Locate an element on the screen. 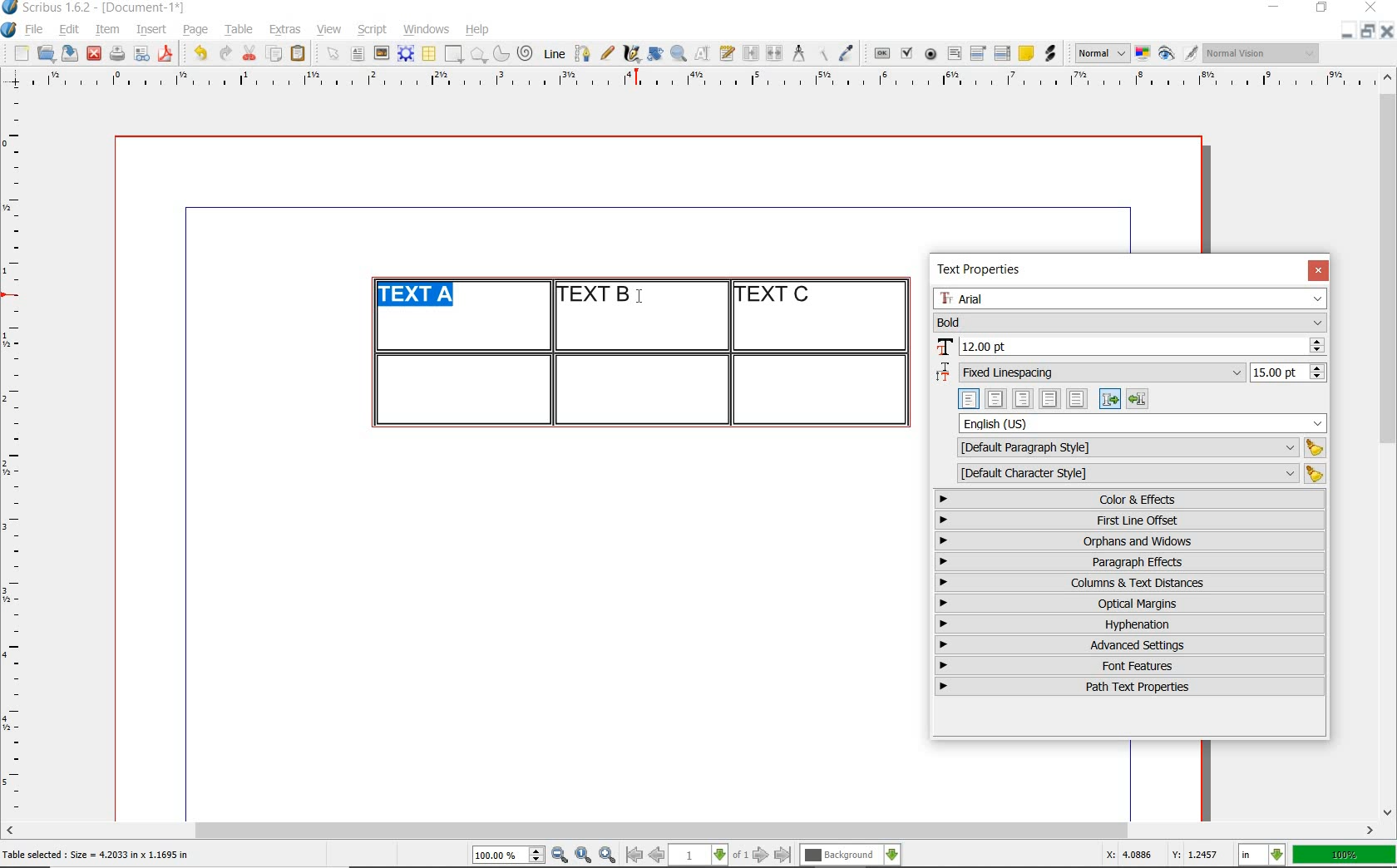  calligraphic line is located at coordinates (633, 53).